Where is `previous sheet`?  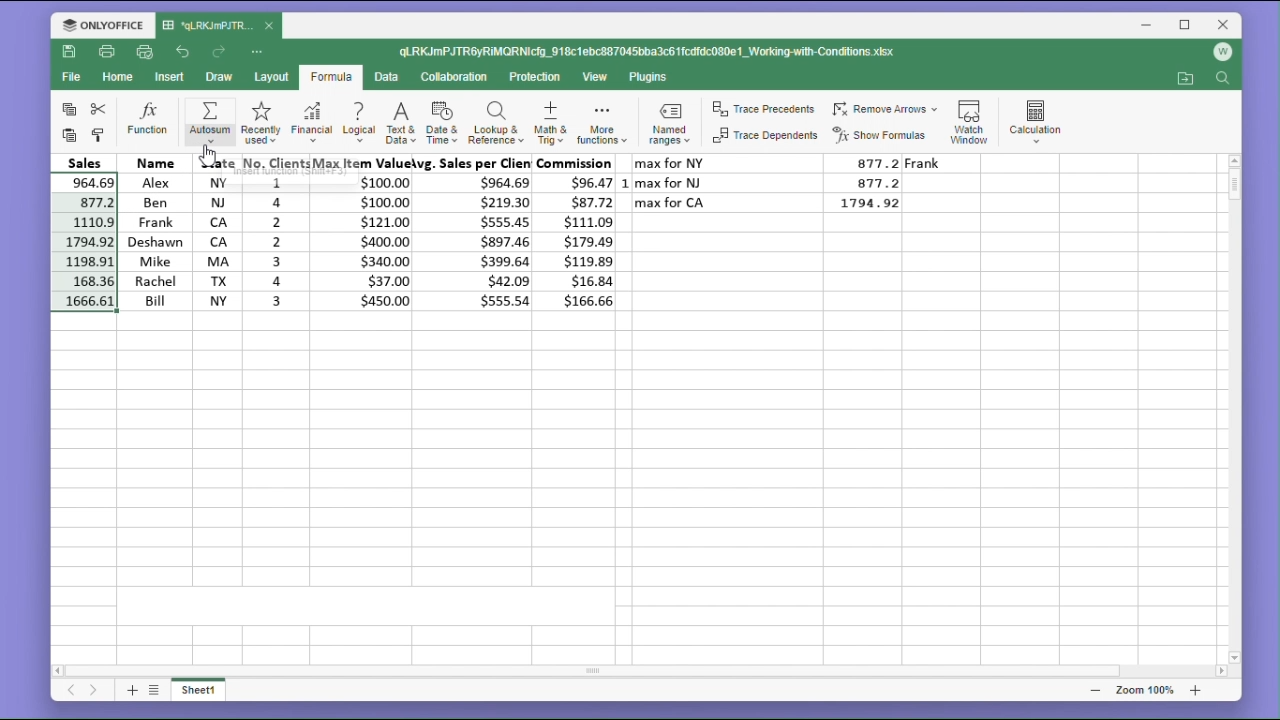 previous sheet is located at coordinates (70, 693).